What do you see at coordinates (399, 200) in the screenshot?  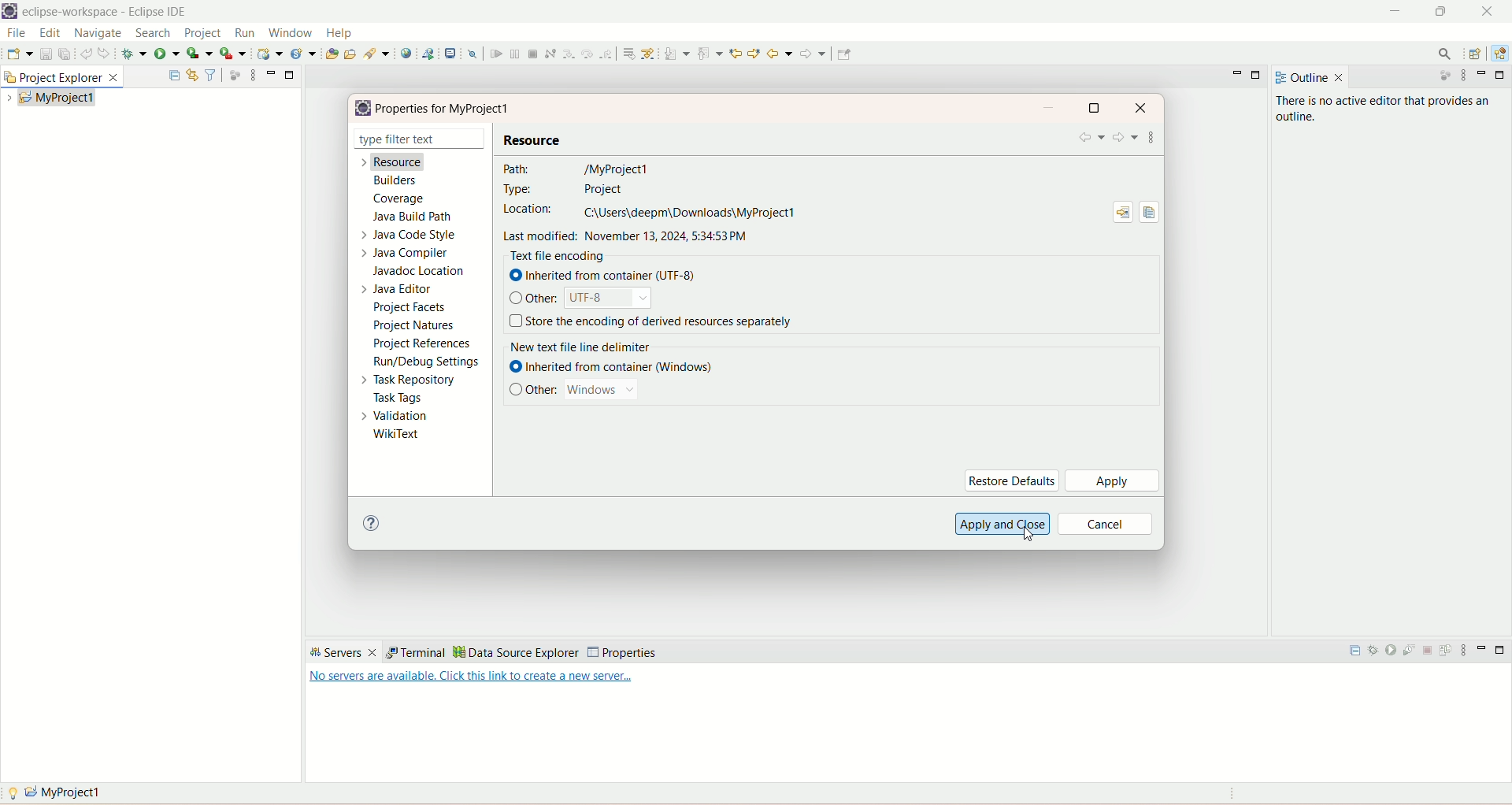 I see `coverage` at bounding box center [399, 200].